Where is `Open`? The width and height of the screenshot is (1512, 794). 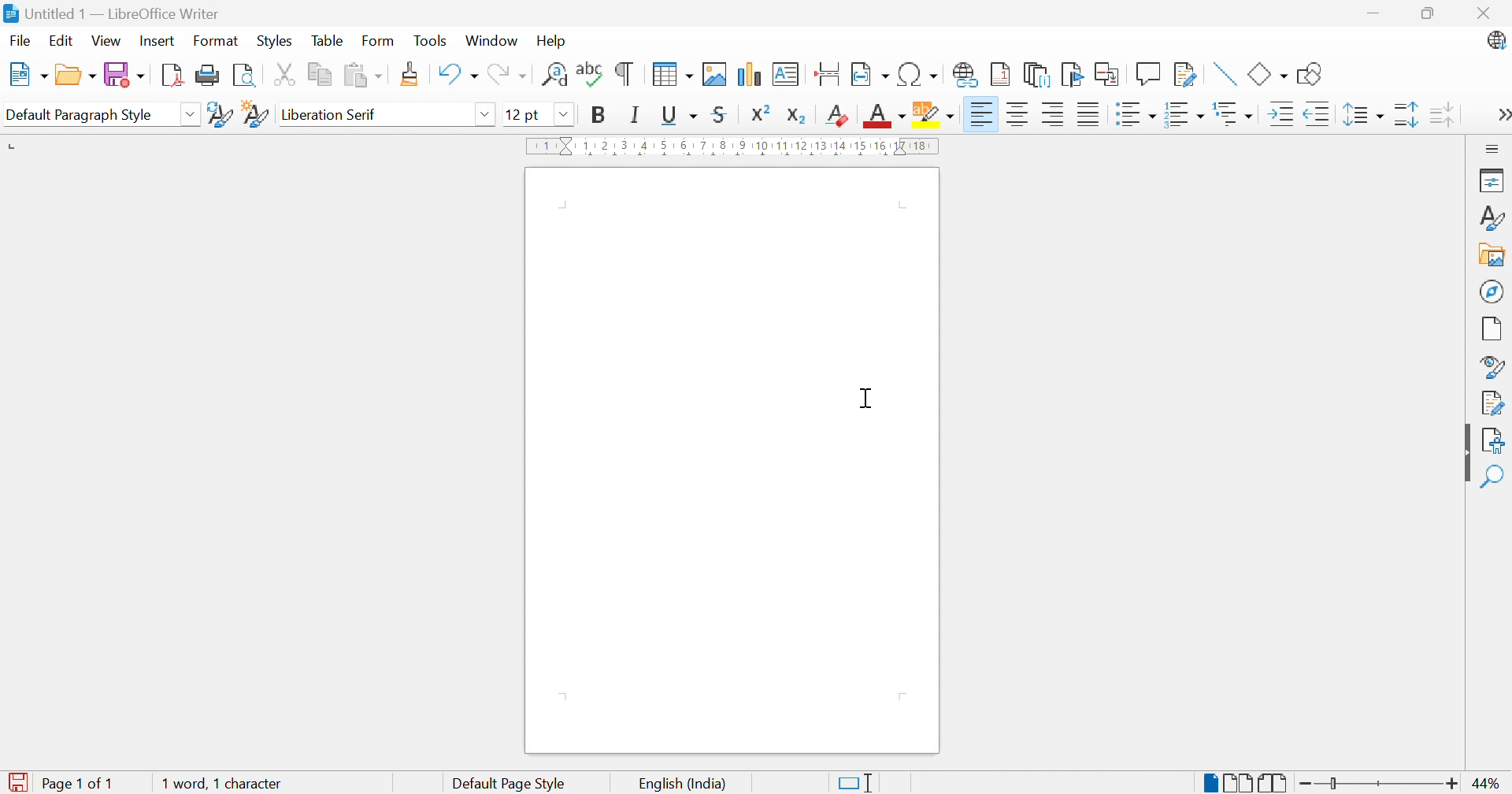
Open is located at coordinates (75, 76).